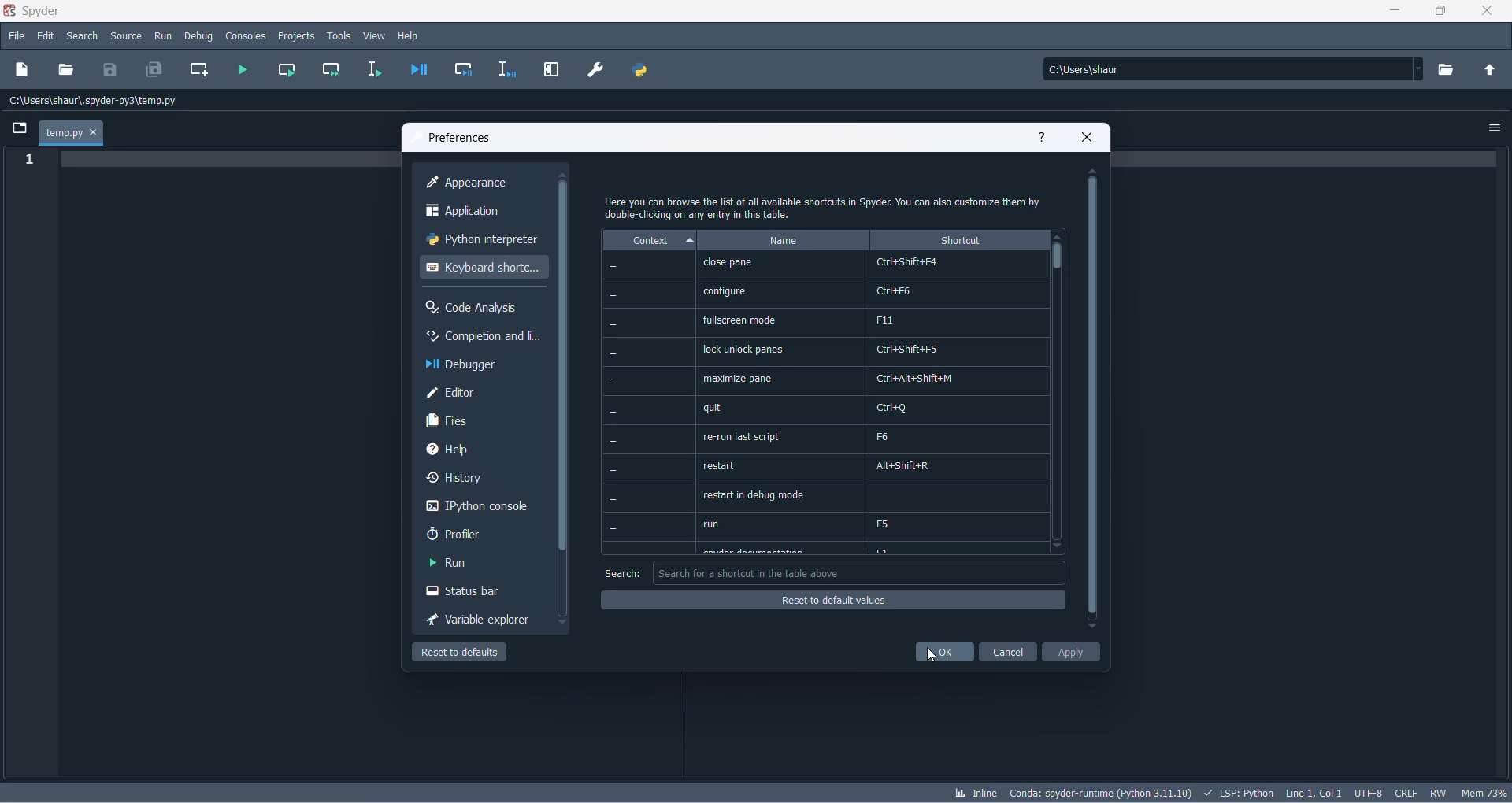 This screenshot has height=803, width=1512. What do you see at coordinates (1436, 792) in the screenshot?
I see `file control` at bounding box center [1436, 792].